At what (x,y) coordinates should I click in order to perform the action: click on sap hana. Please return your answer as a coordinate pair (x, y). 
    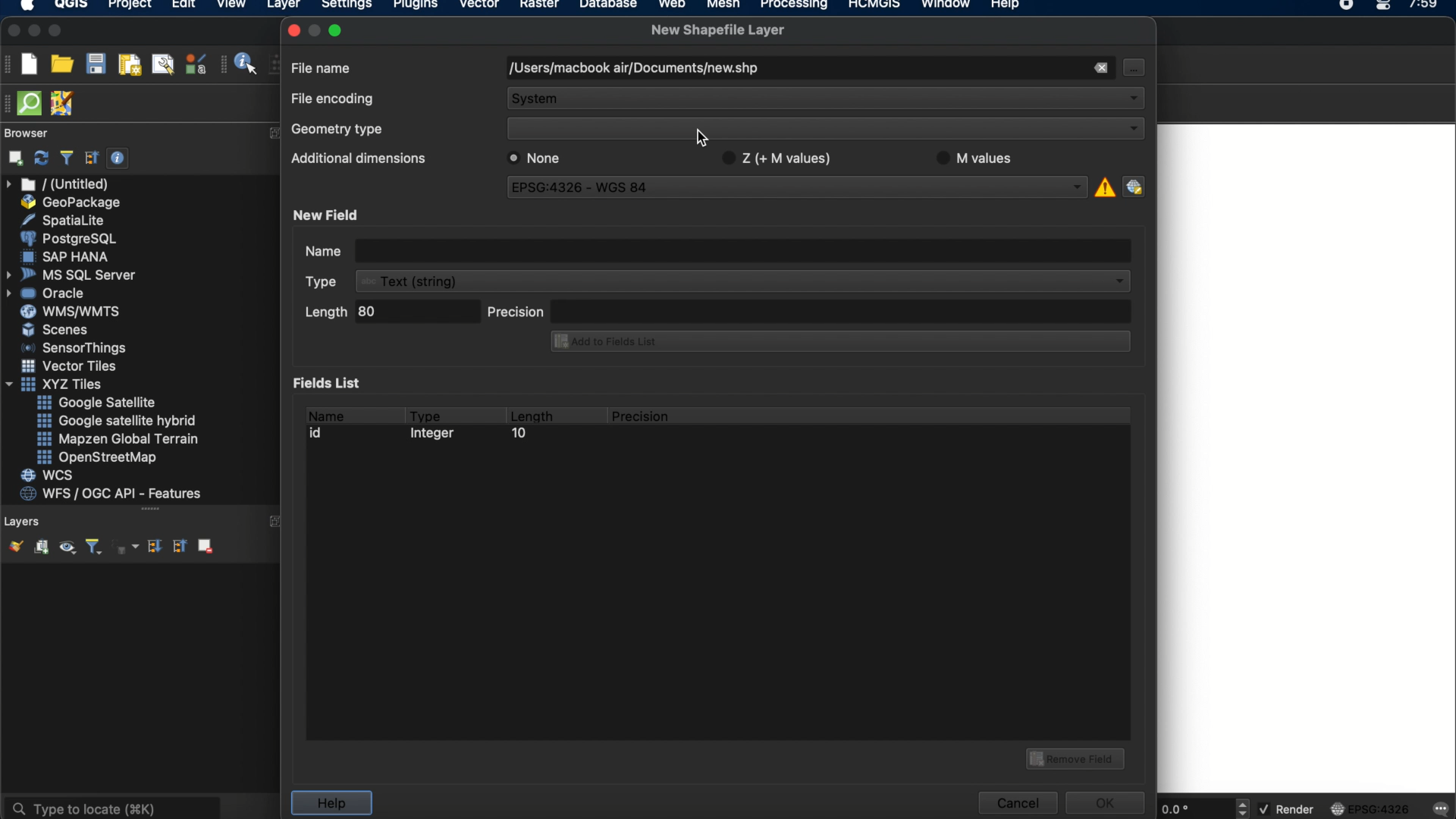
    Looking at the image, I should click on (67, 256).